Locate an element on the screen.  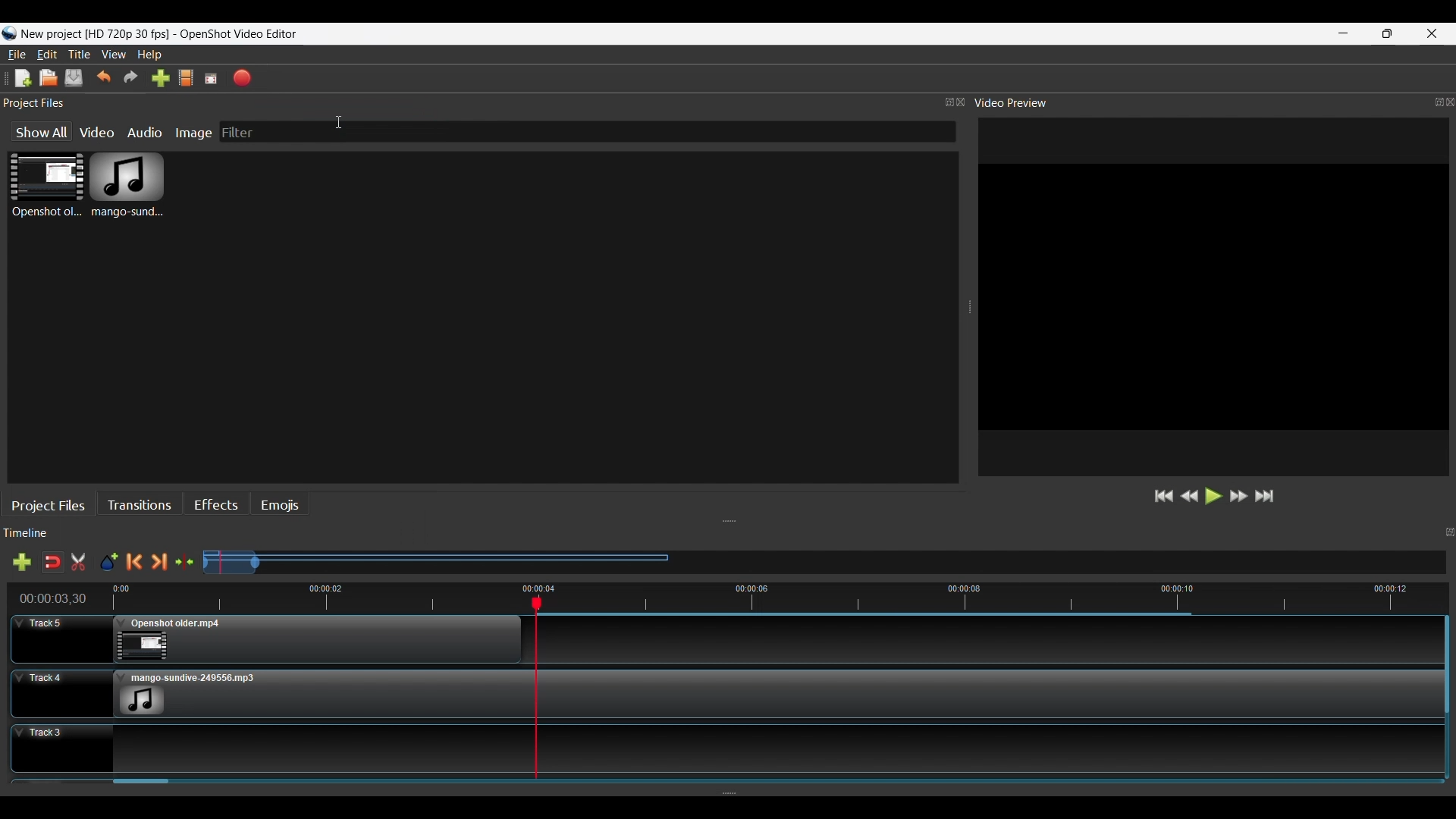
Jump to Start is located at coordinates (1164, 496).